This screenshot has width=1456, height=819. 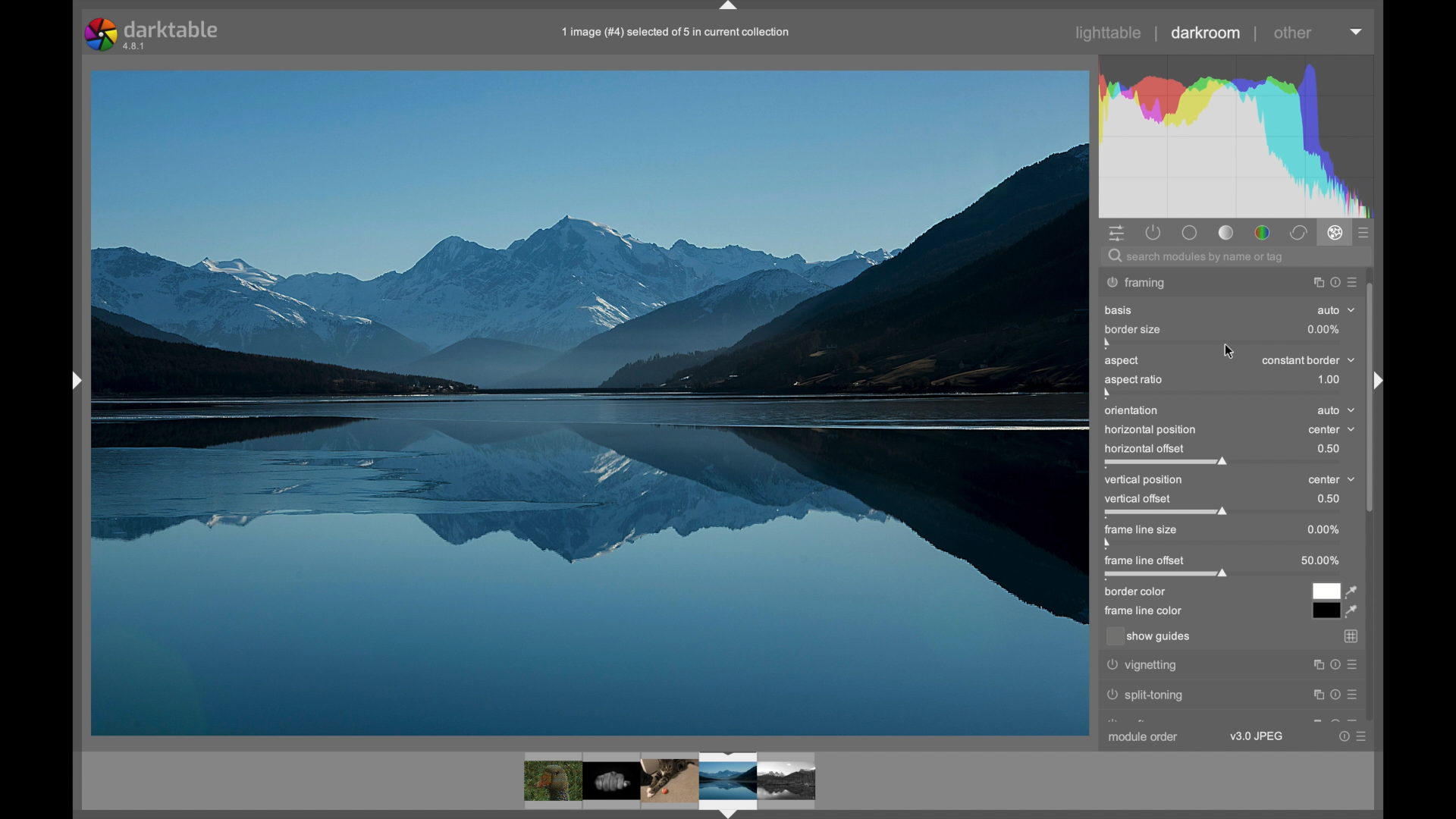 I want to click on vertical offset slider, so click(x=1166, y=506).